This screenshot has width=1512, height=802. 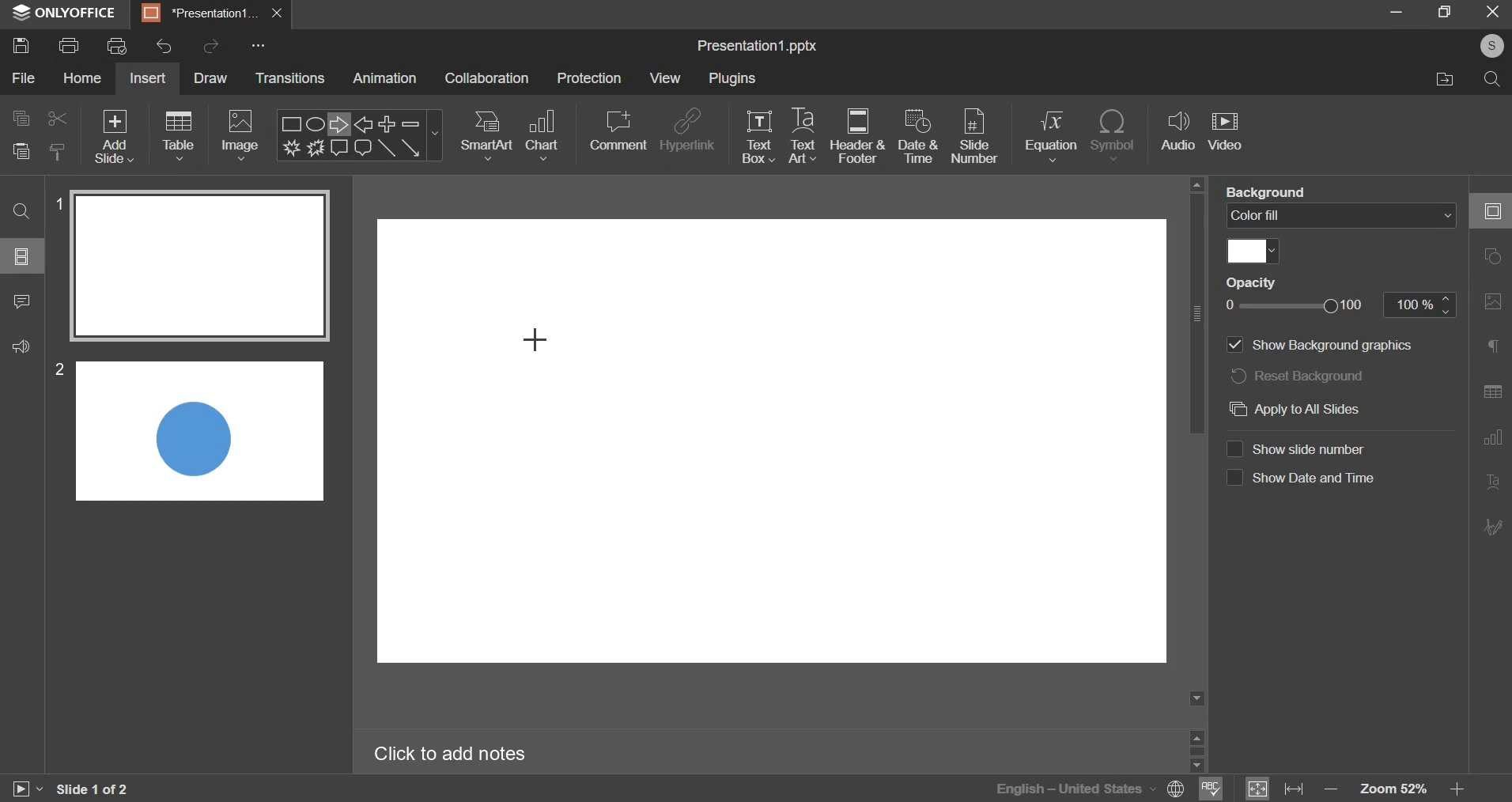 What do you see at coordinates (1270, 191) in the screenshot?
I see `background` at bounding box center [1270, 191].